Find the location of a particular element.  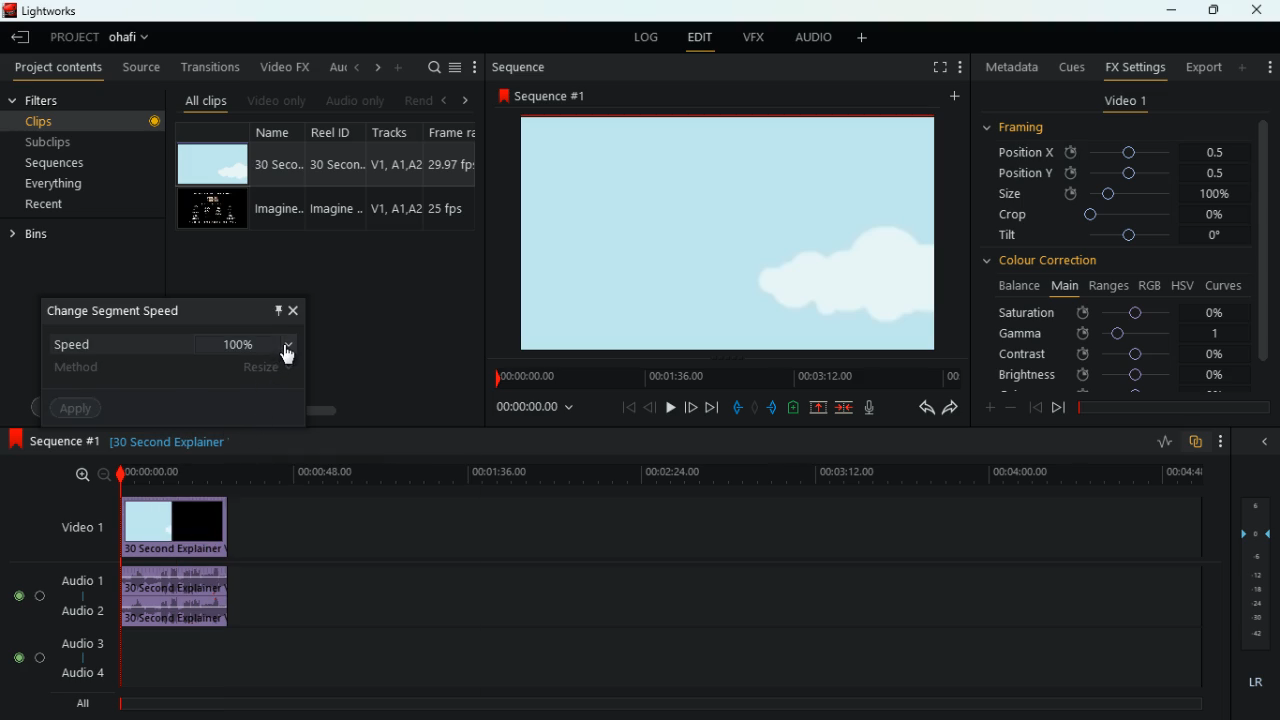

position x is located at coordinates (1116, 152).